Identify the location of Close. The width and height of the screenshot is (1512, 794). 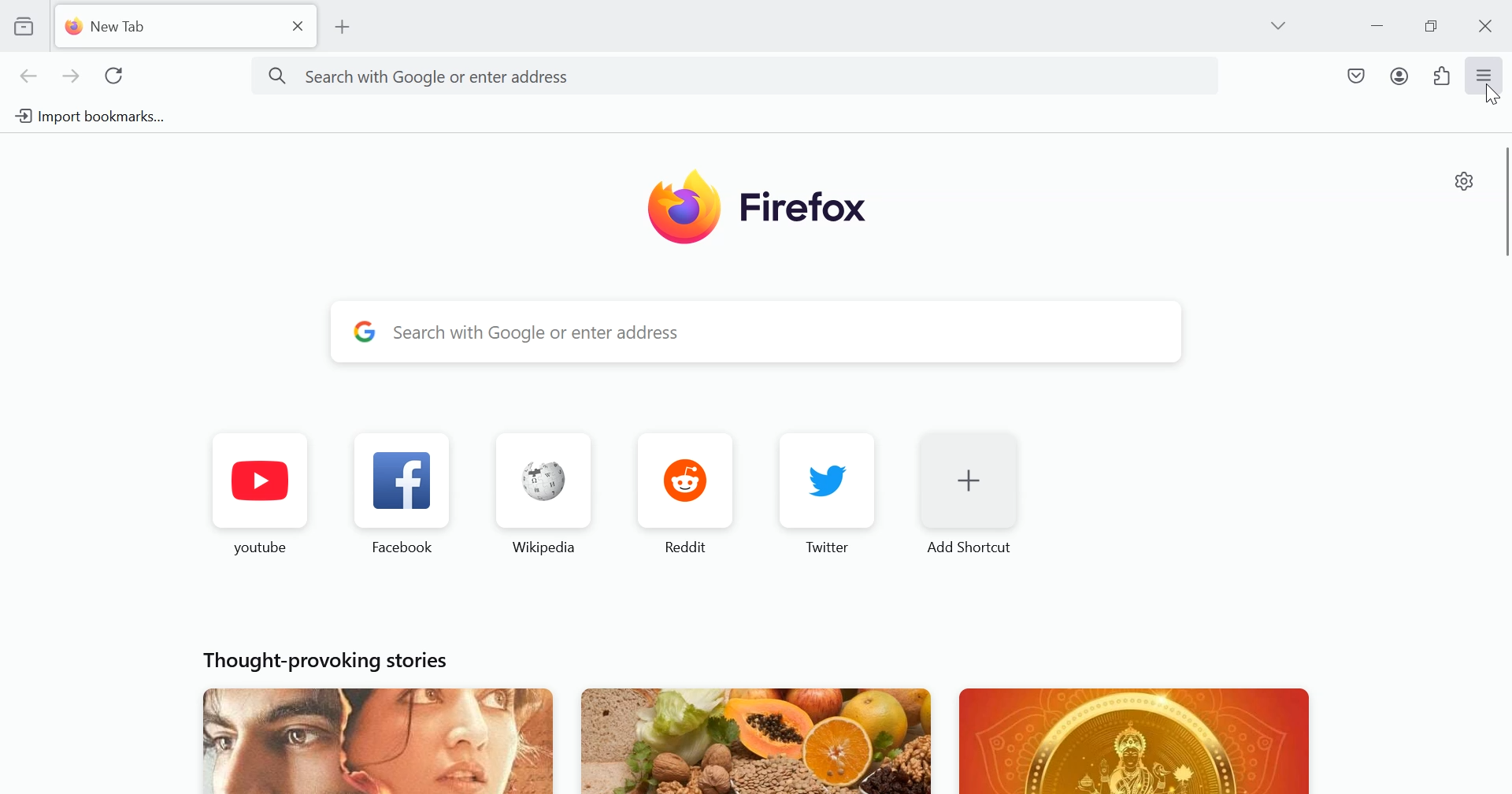
(1484, 24).